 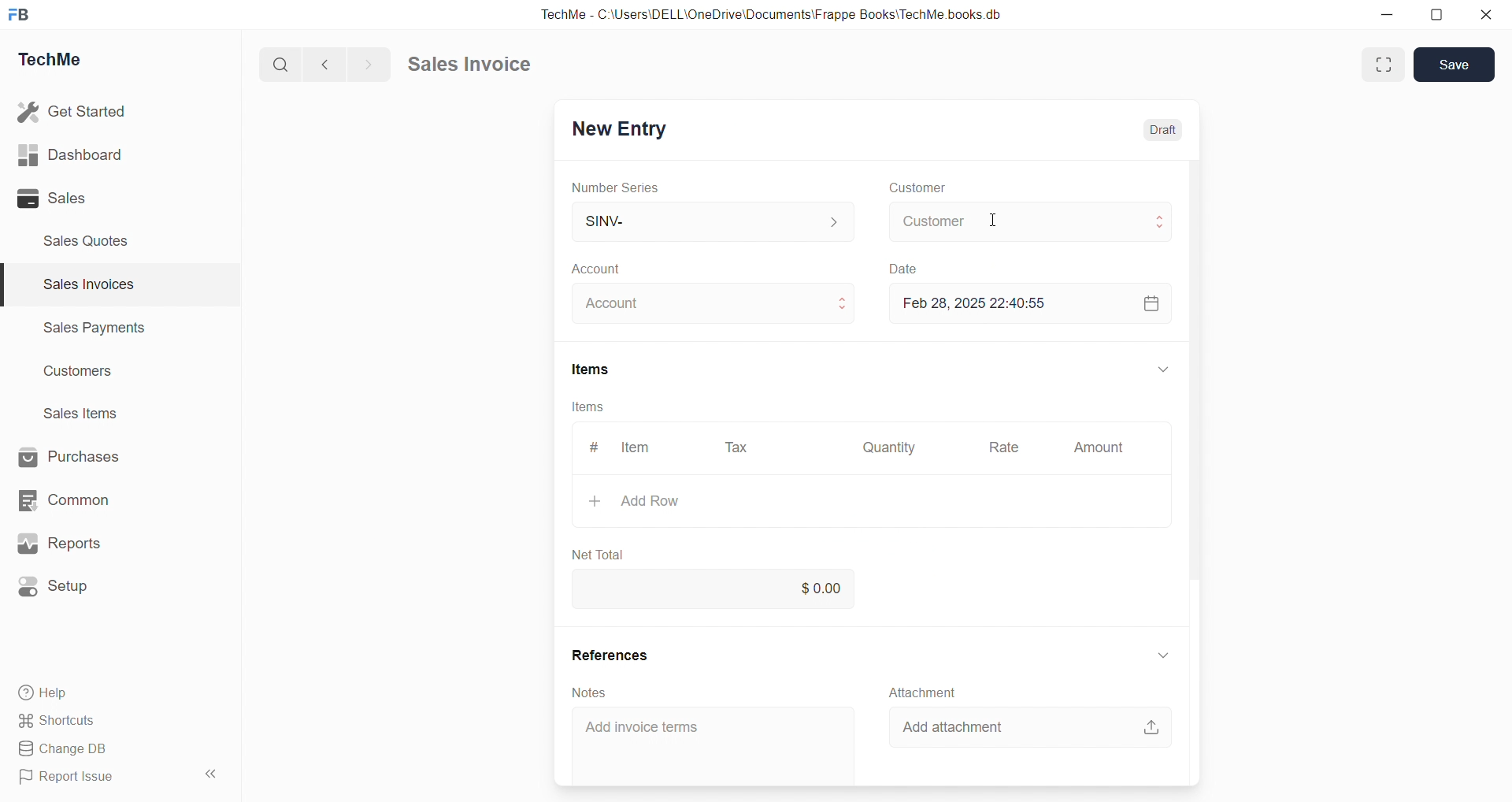 I want to click on Purchases, so click(x=69, y=456).